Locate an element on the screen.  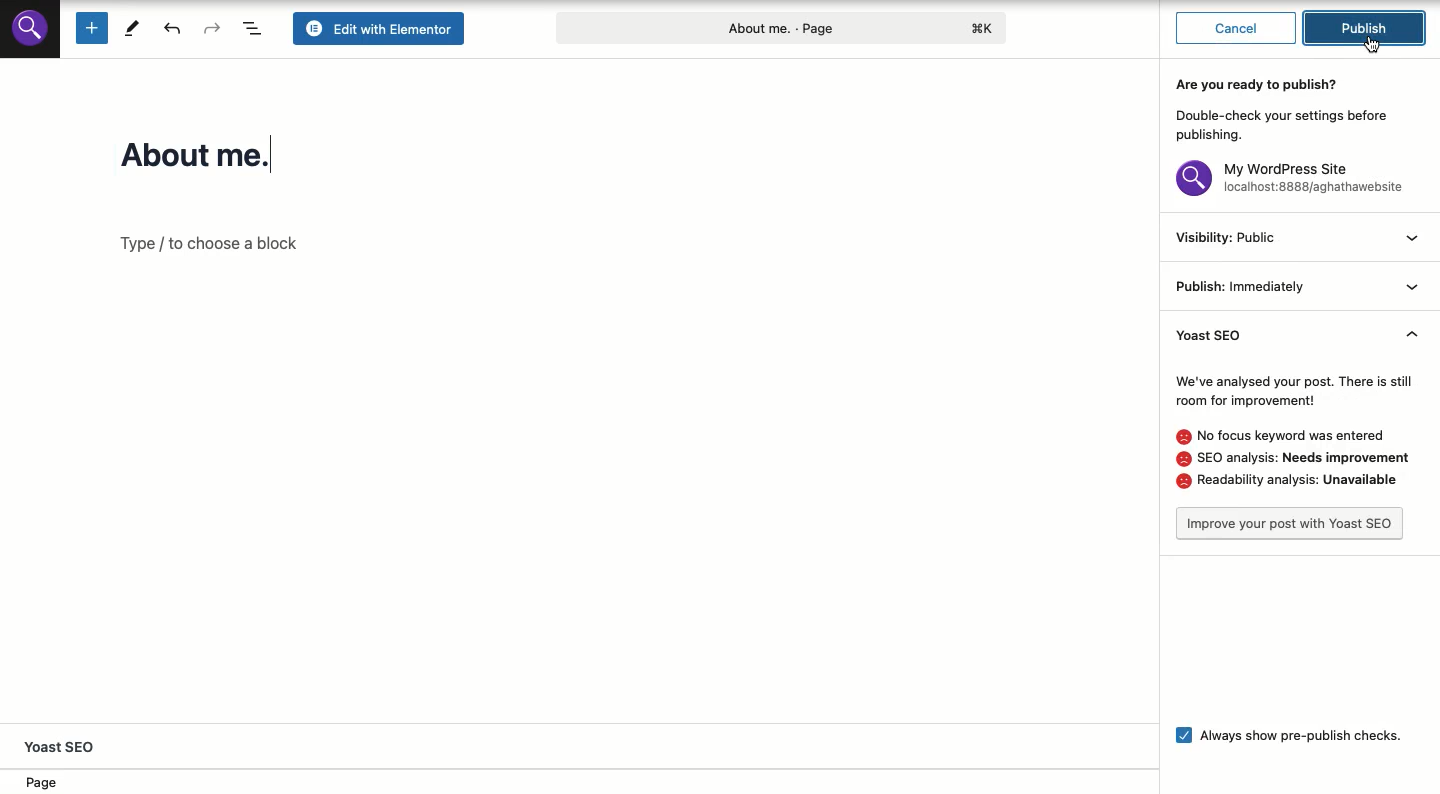
Hide is located at coordinates (1412, 339).